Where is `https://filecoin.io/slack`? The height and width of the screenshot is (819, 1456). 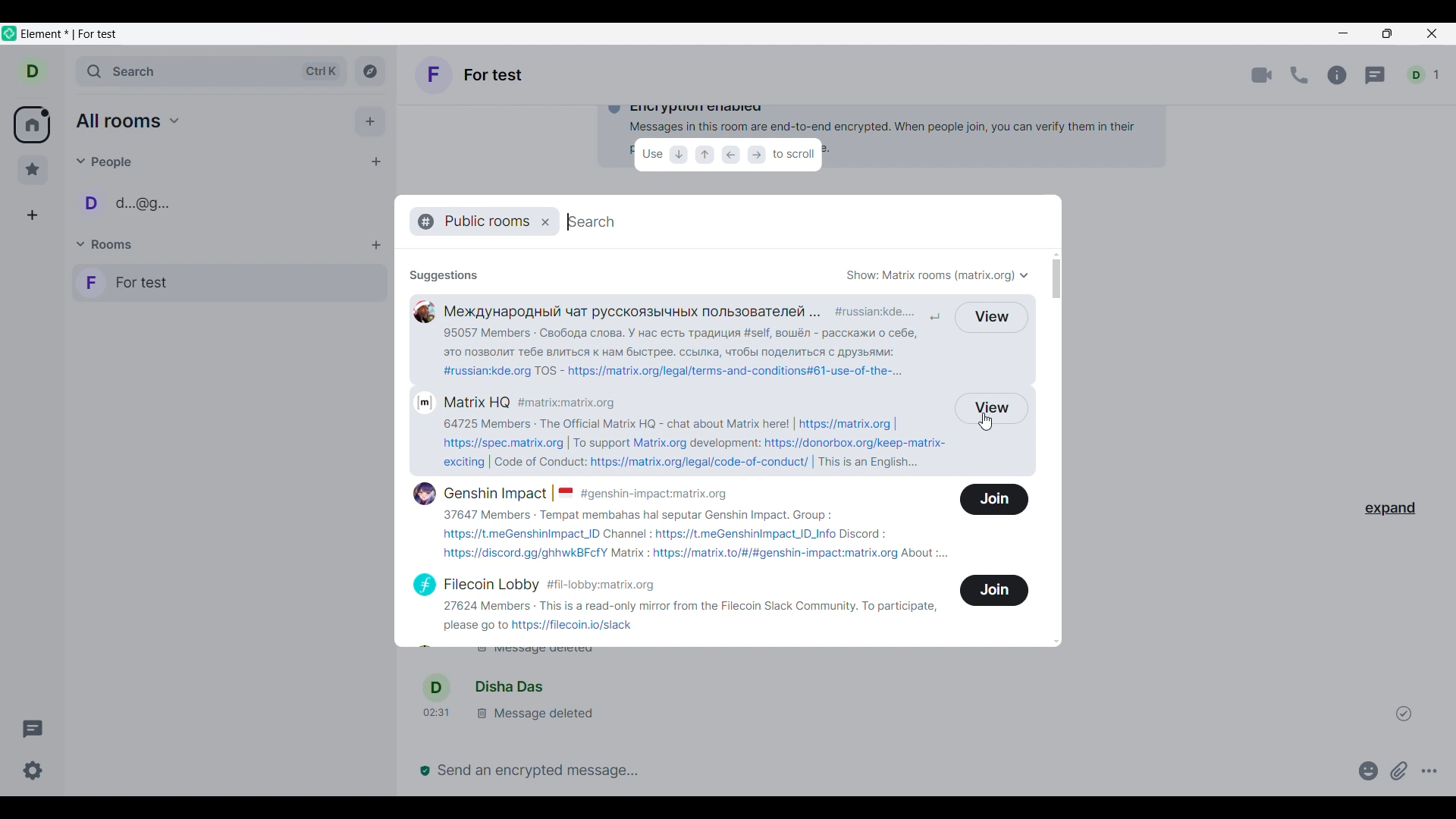 https://filecoin.io/slack is located at coordinates (579, 627).